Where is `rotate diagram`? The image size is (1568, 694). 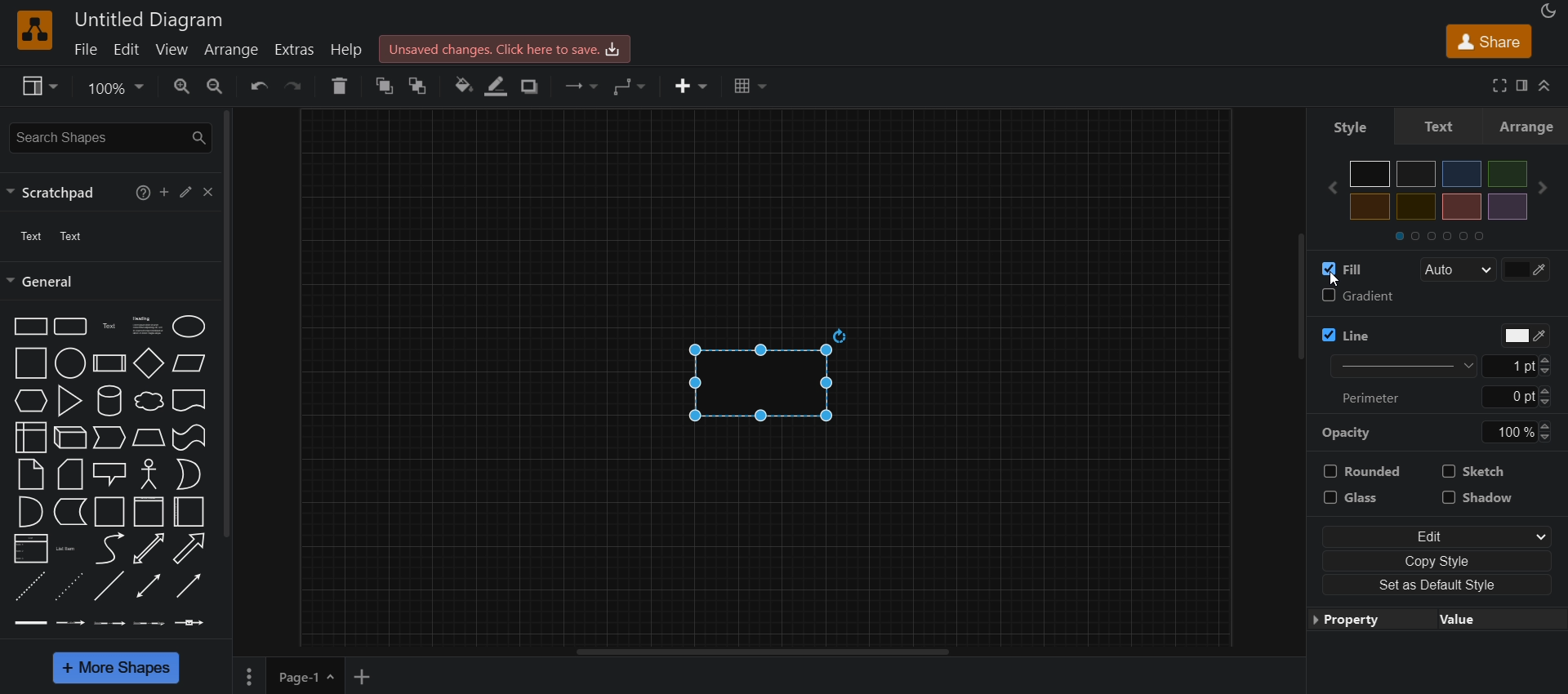
rotate diagram is located at coordinates (844, 335).